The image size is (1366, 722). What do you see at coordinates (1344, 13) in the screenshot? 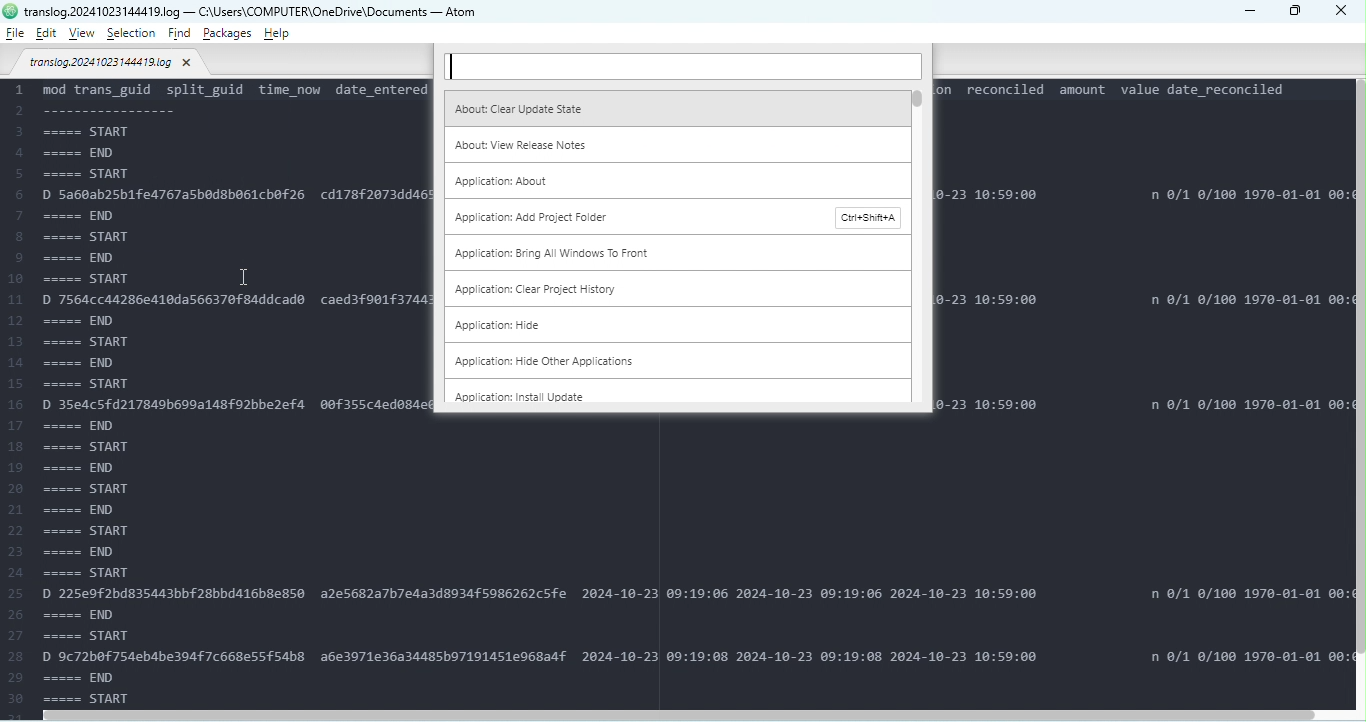
I see `Close` at bounding box center [1344, 13].